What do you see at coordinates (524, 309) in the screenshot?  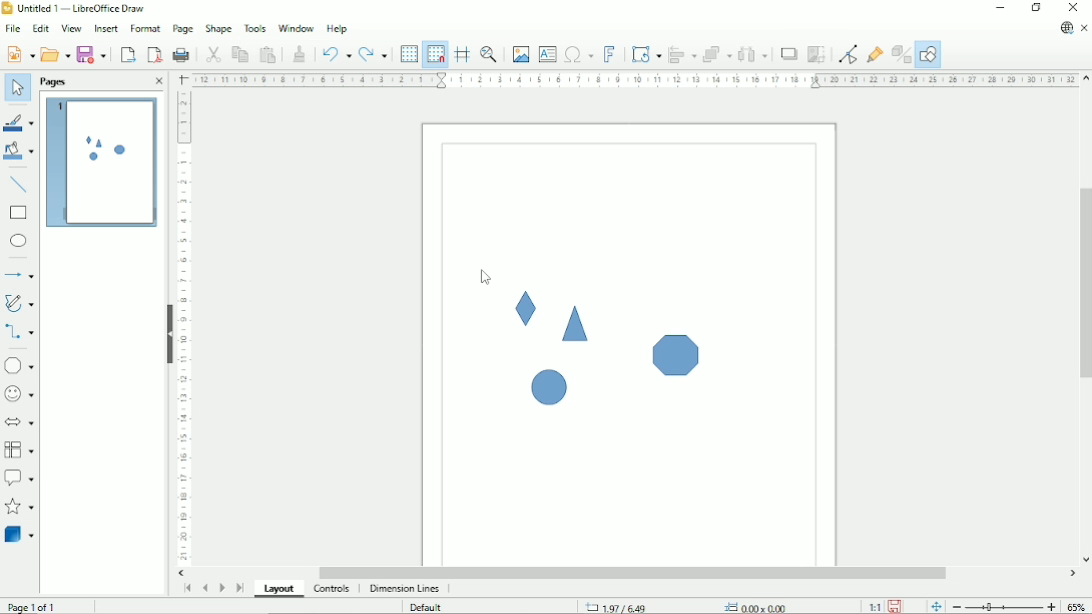 I see `Shape` at bounding box center [524, 309].